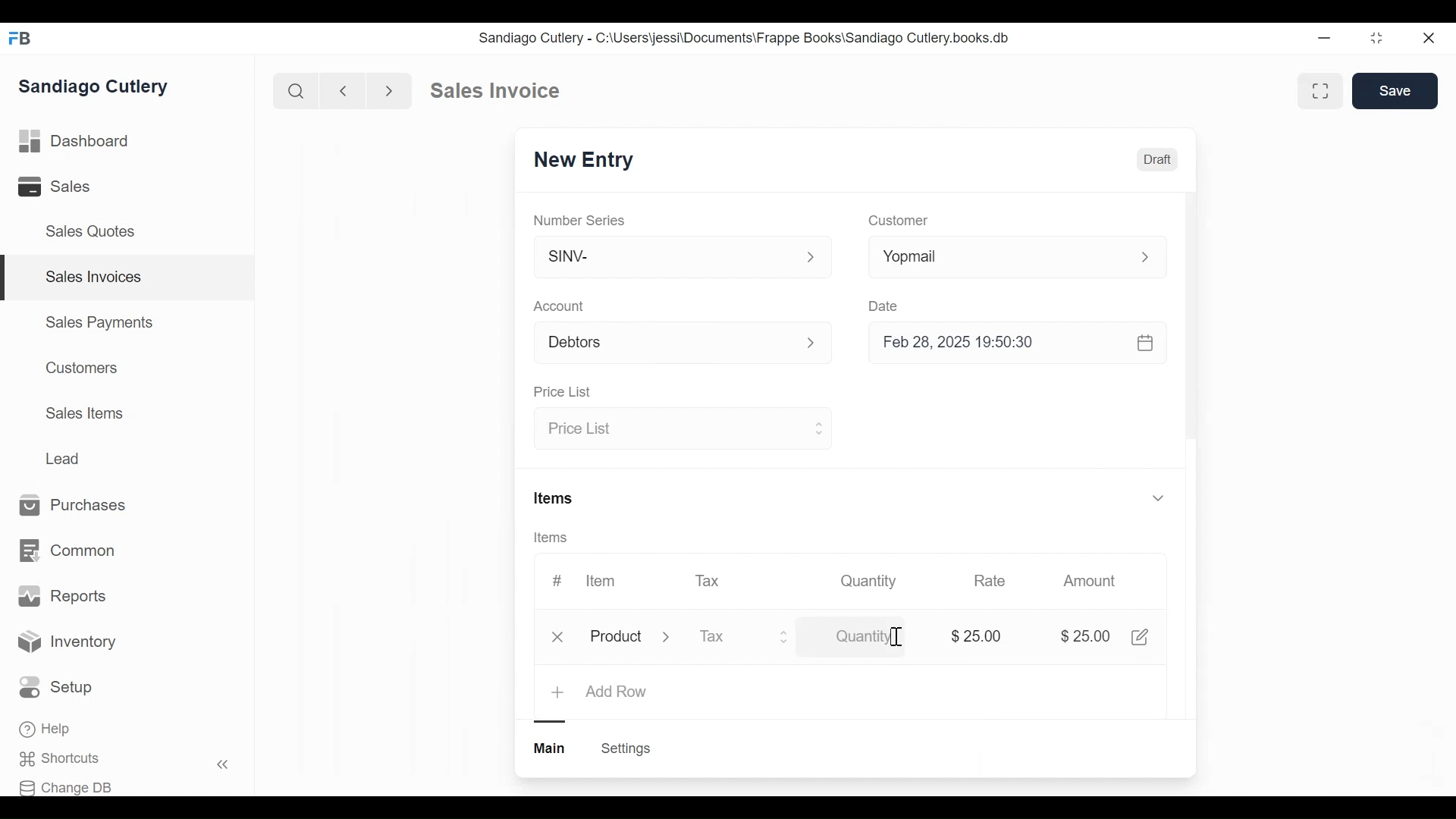 The height and width of the screenshot is (819, 1456). I want to click on Items, so click(556, 497).